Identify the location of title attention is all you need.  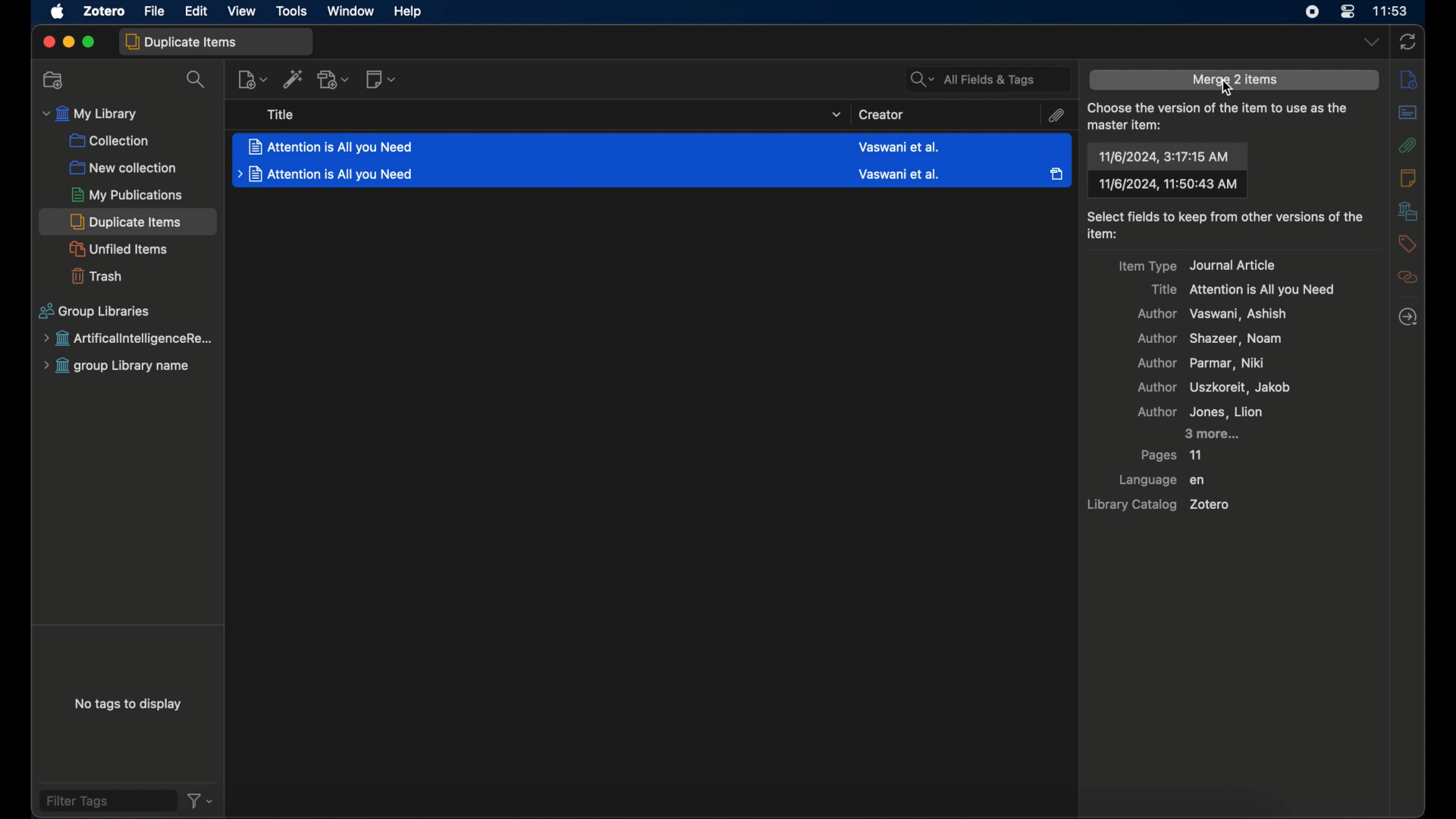
(1244, 290).